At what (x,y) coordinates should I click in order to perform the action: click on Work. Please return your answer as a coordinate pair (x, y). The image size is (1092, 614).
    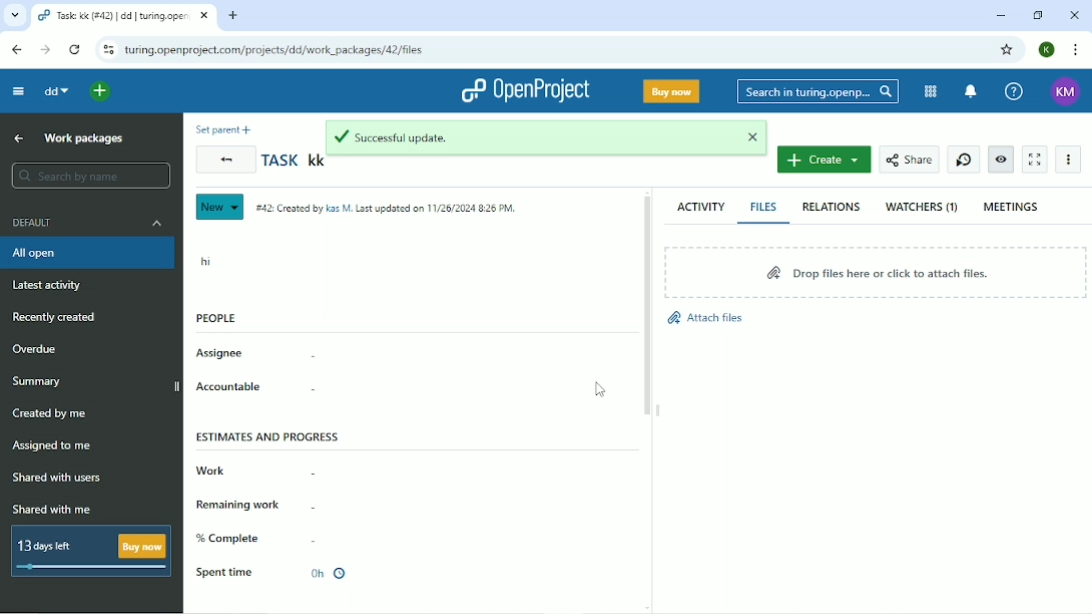
    Looking at the image, I should click on (260, 471).